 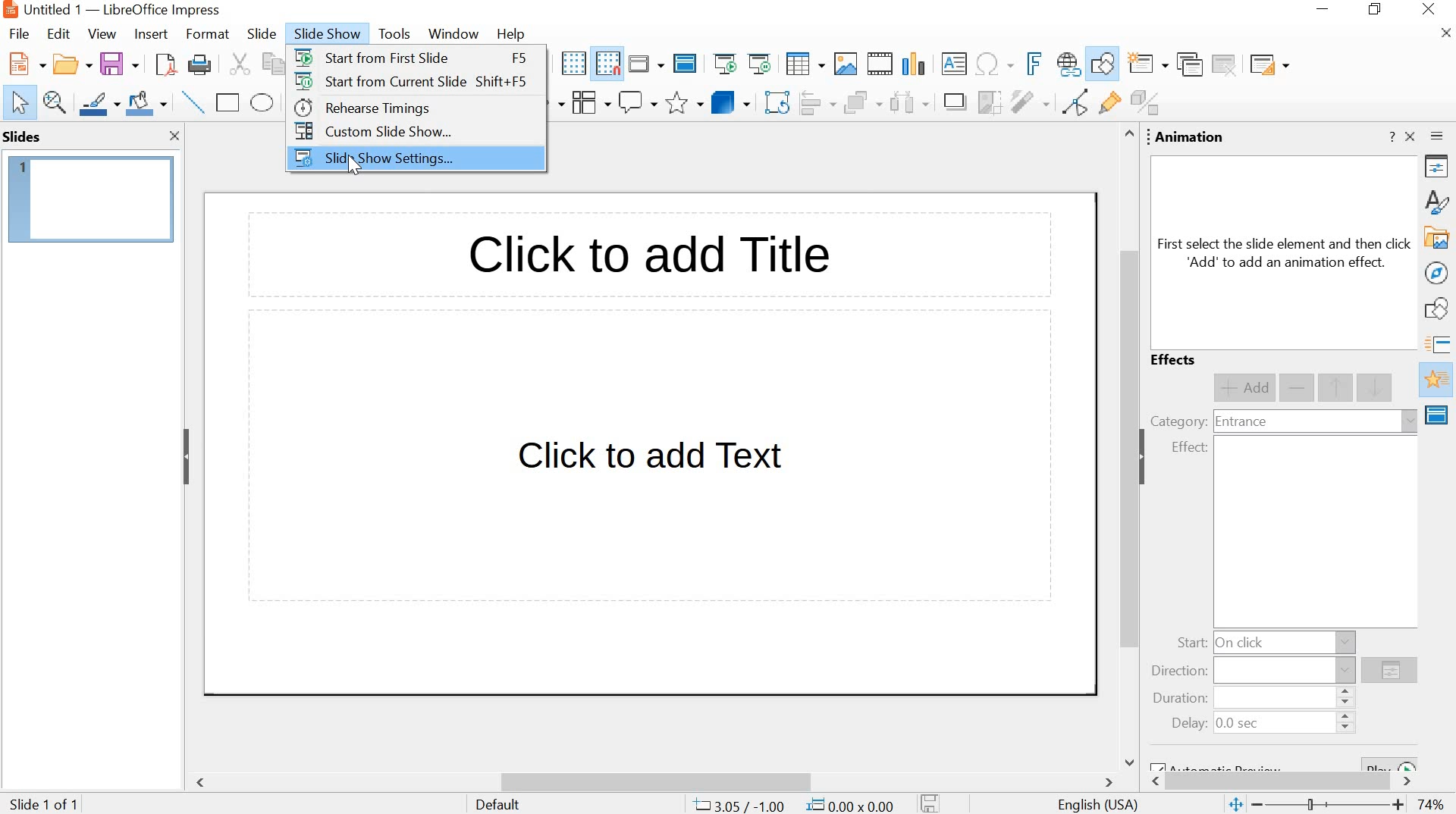 What do you see at coordinates (607, 64) in the screenshot?
I see `snap to grid` at bounding box center [607, 64].